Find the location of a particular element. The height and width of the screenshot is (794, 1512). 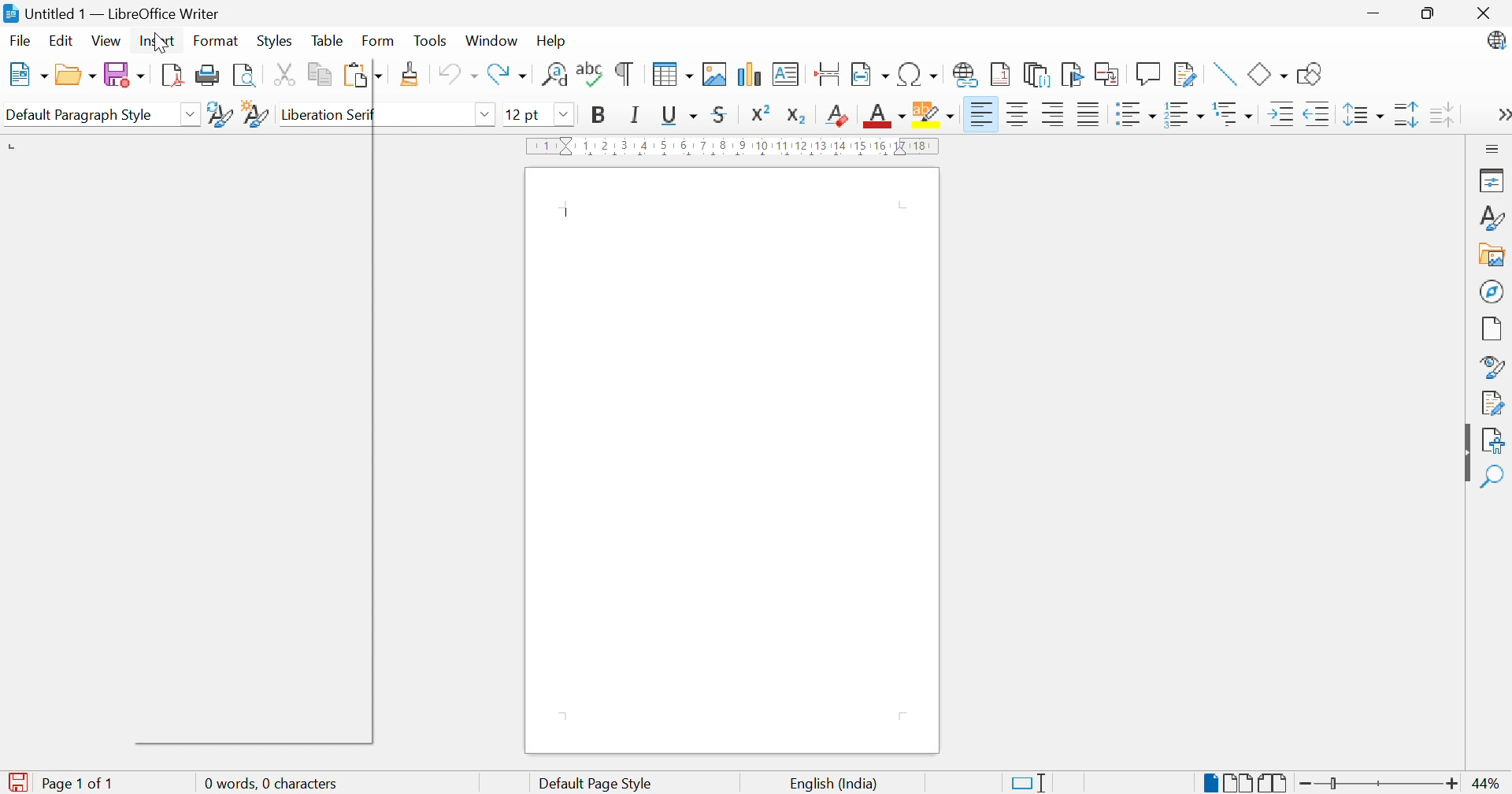

Underline is located at coordinates (678, 114).